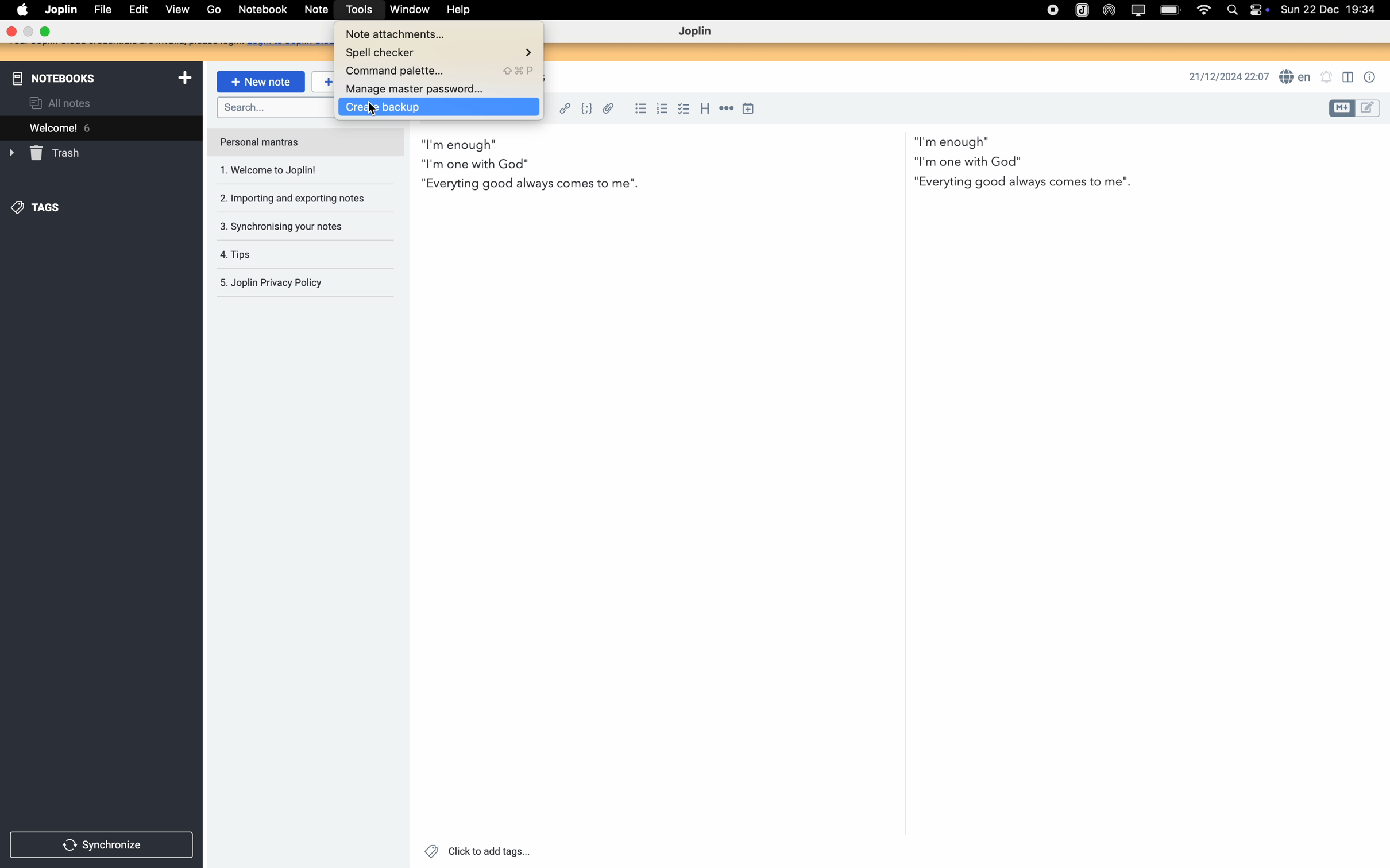  Describe the element at coordinates (1349, 77) in the screenshot. I see `toggle editor layout` at that location.